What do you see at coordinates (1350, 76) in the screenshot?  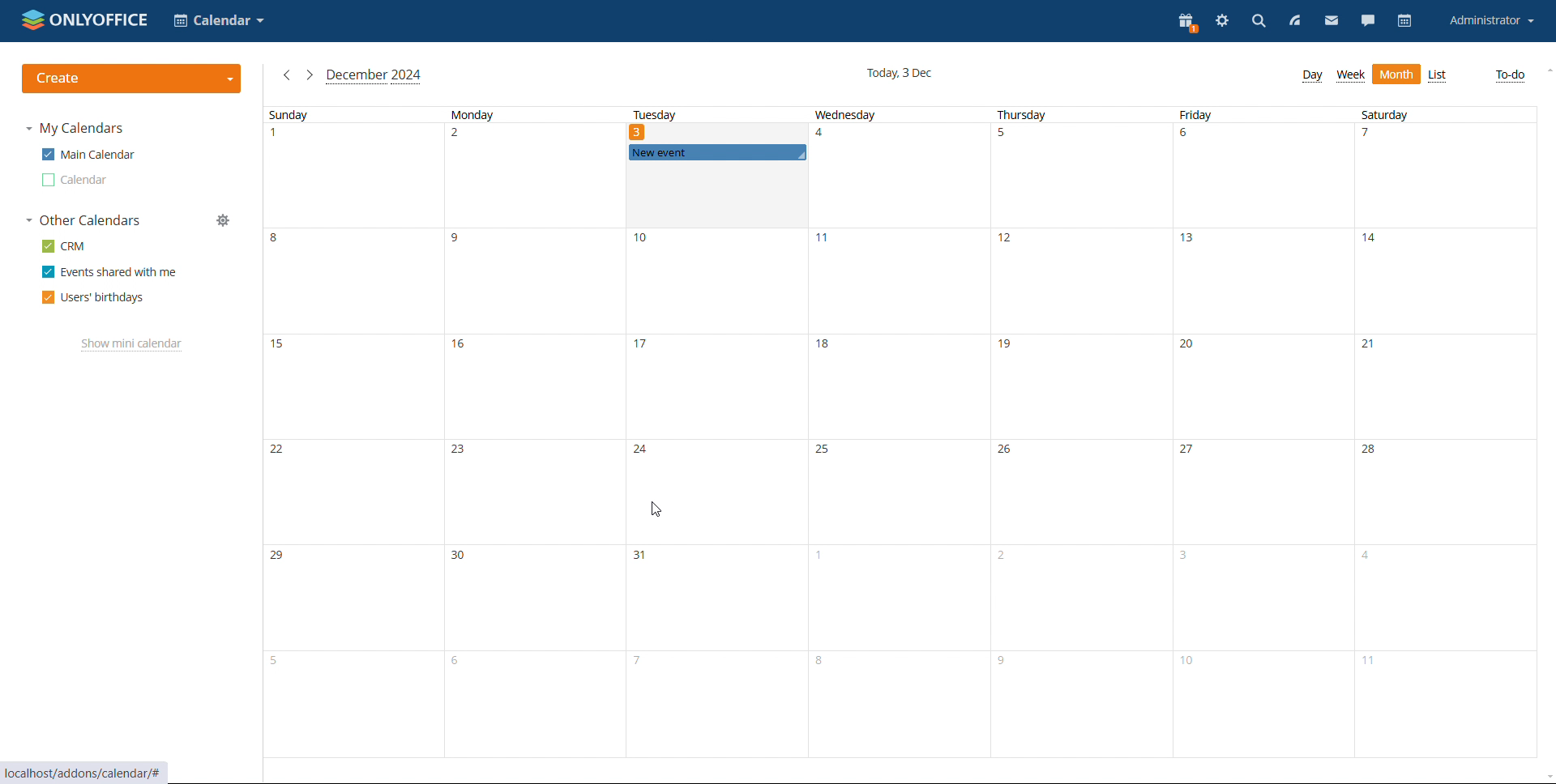 I see `week view` at bounding box center [1350, 76].